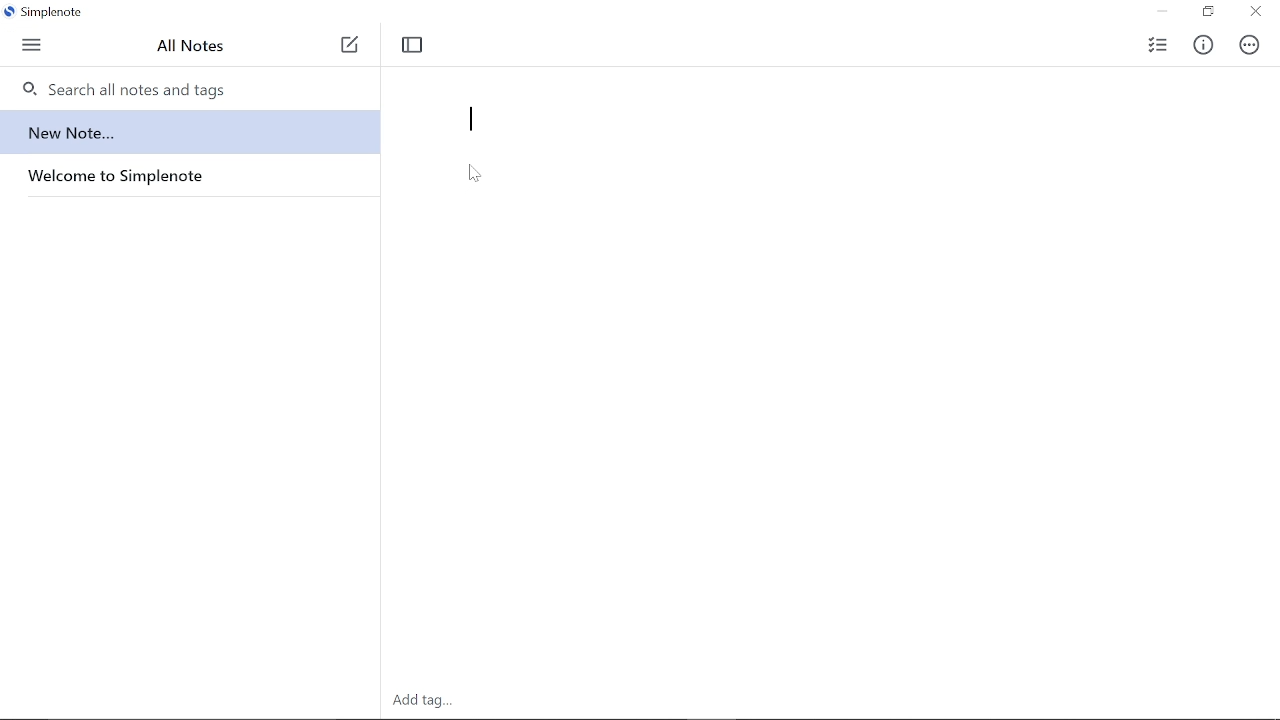 The width and height of the screenshot is (1280, 720). I want to click on Restore down, so click(1206, 14).